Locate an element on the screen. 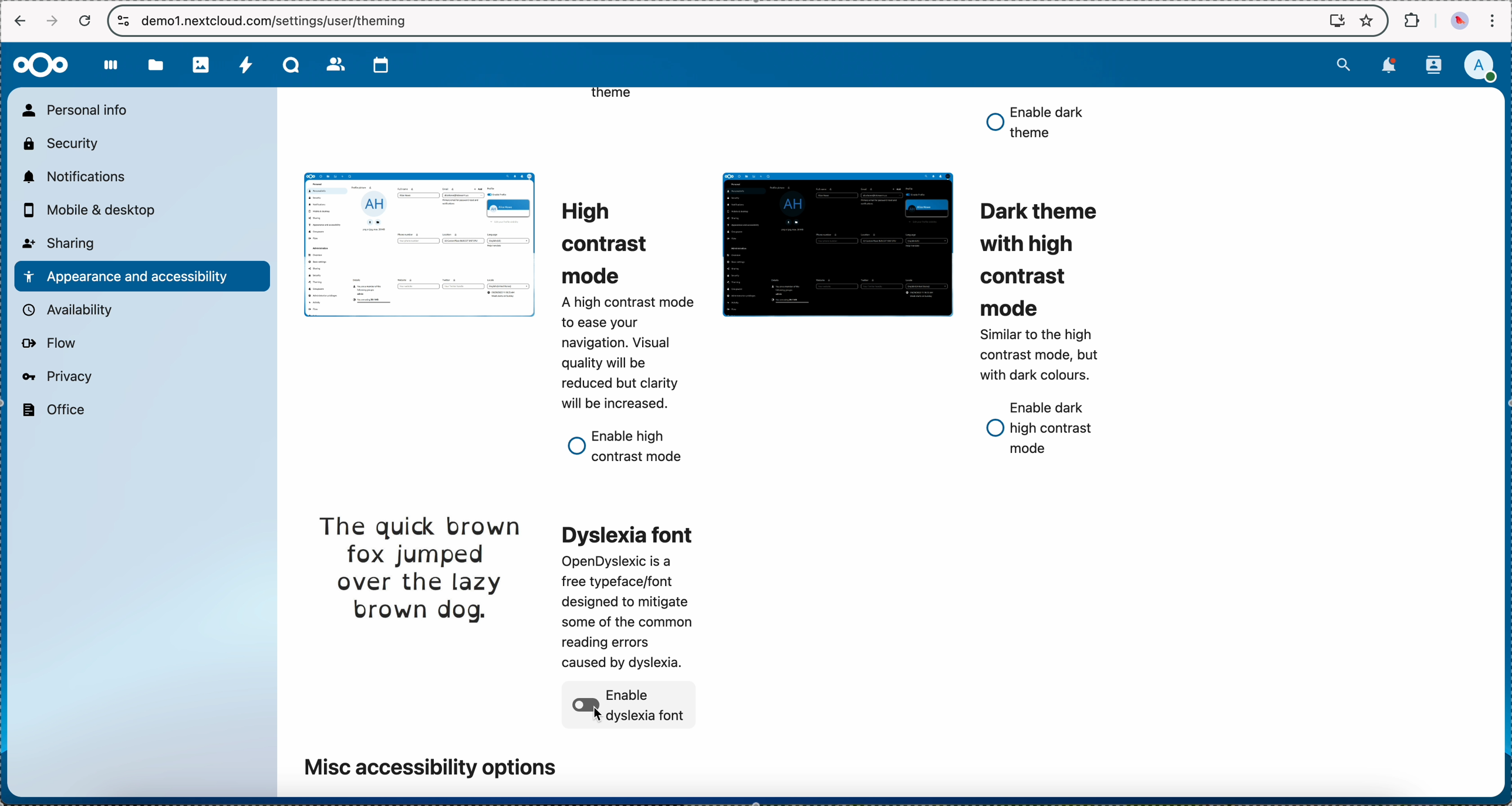 This screenshot has width=1512, height=806. dashboard is located at coordinates (113, 67).